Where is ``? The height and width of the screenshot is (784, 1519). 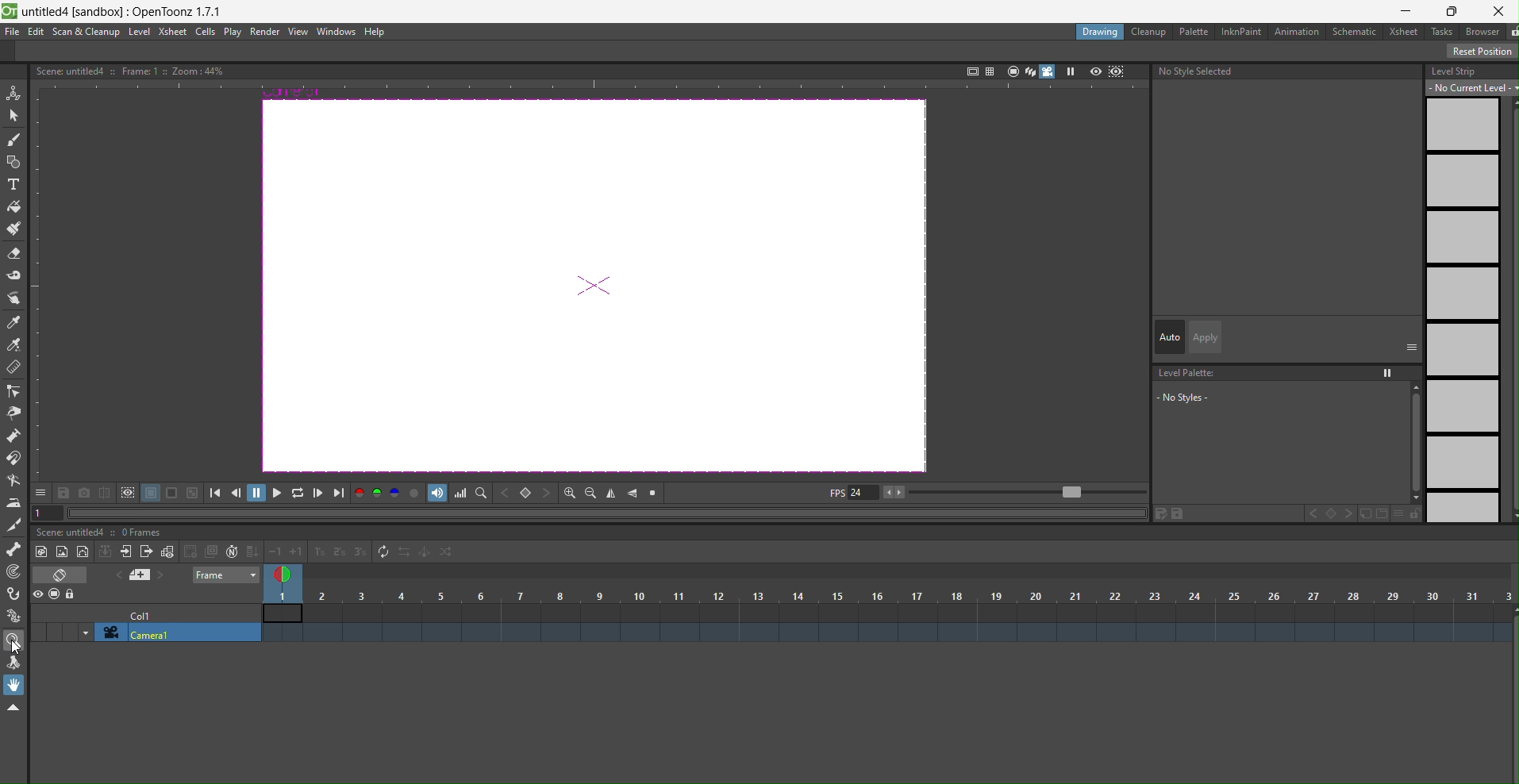  is located at coordinates (14, 662).